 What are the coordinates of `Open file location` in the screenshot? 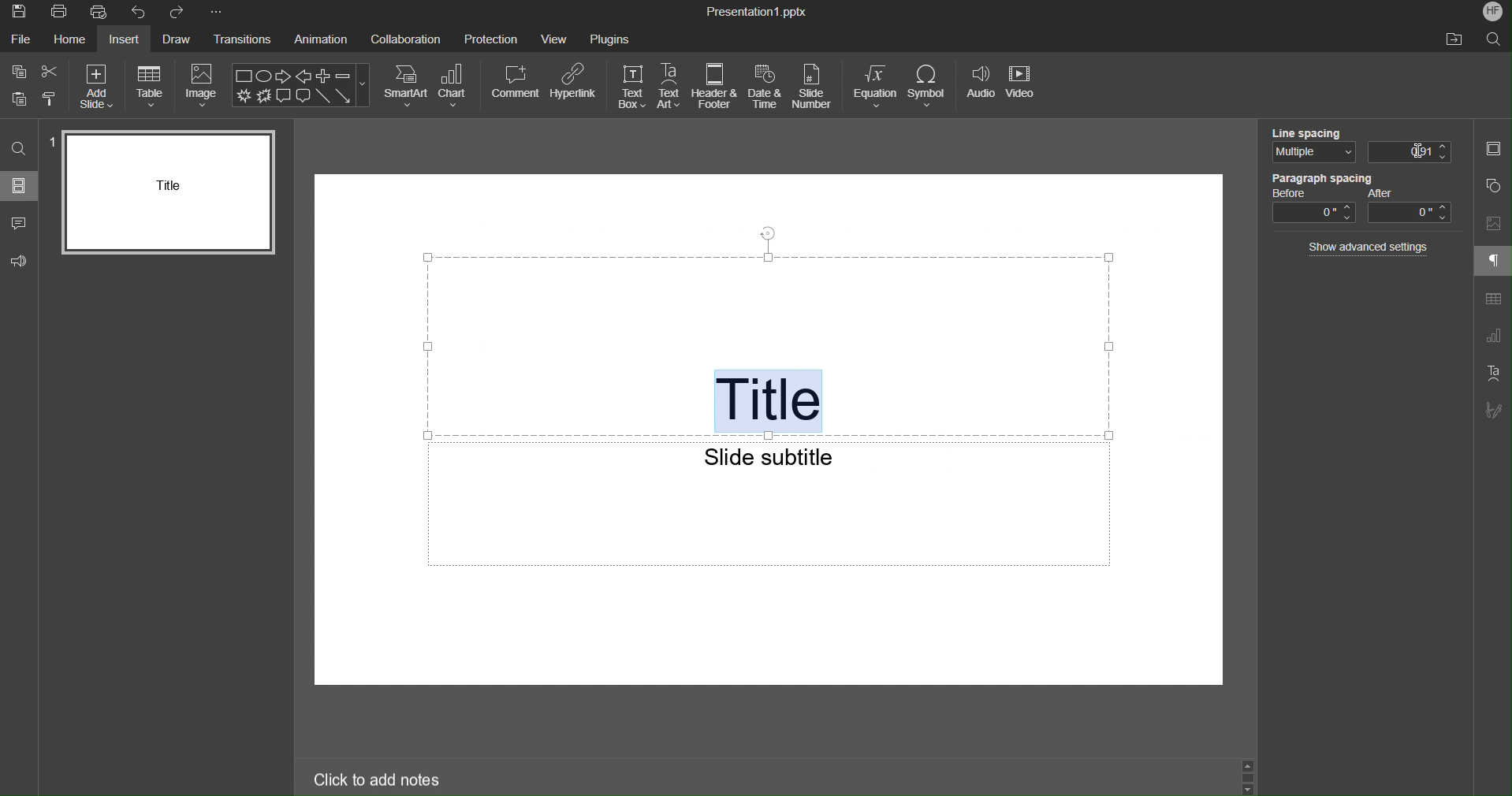 It's located at (1456, 39).